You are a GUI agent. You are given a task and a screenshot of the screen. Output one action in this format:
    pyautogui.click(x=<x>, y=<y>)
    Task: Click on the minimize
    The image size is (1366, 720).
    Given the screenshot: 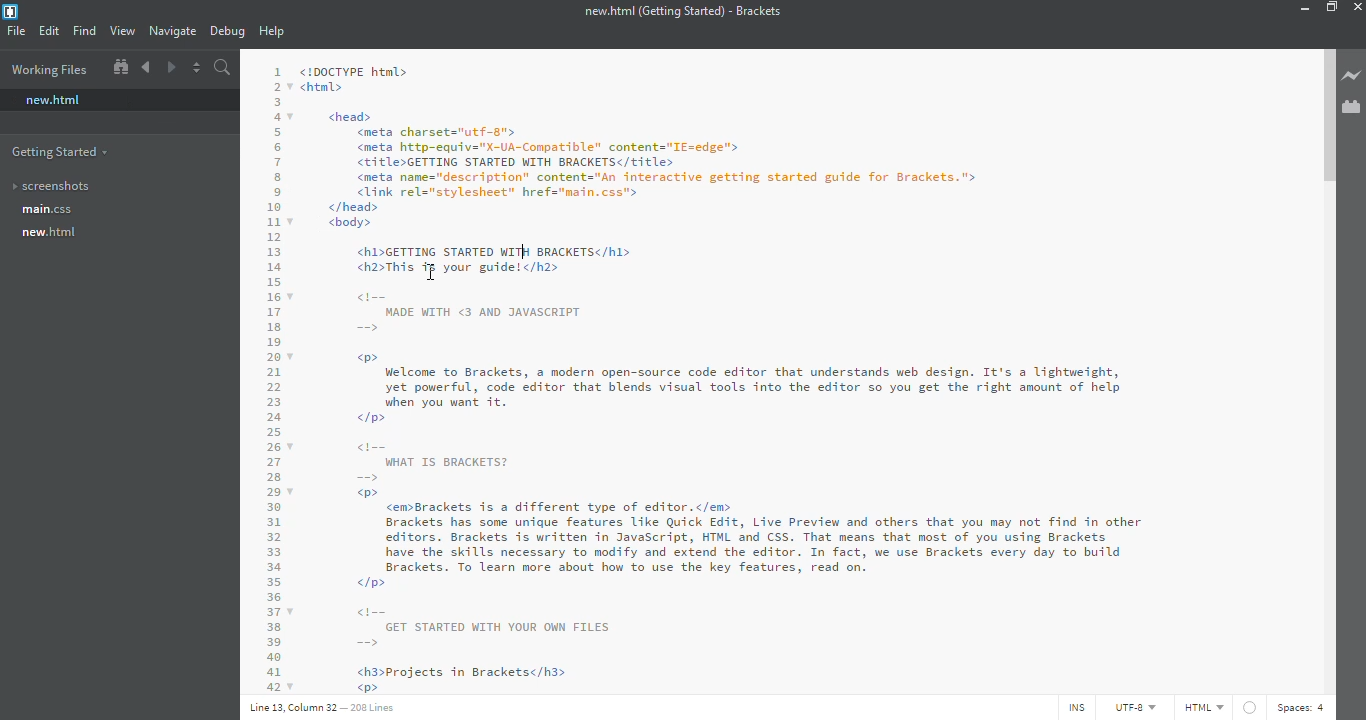 What is the action you would take?
    pyautogui.click(x=1301, y=7)
    